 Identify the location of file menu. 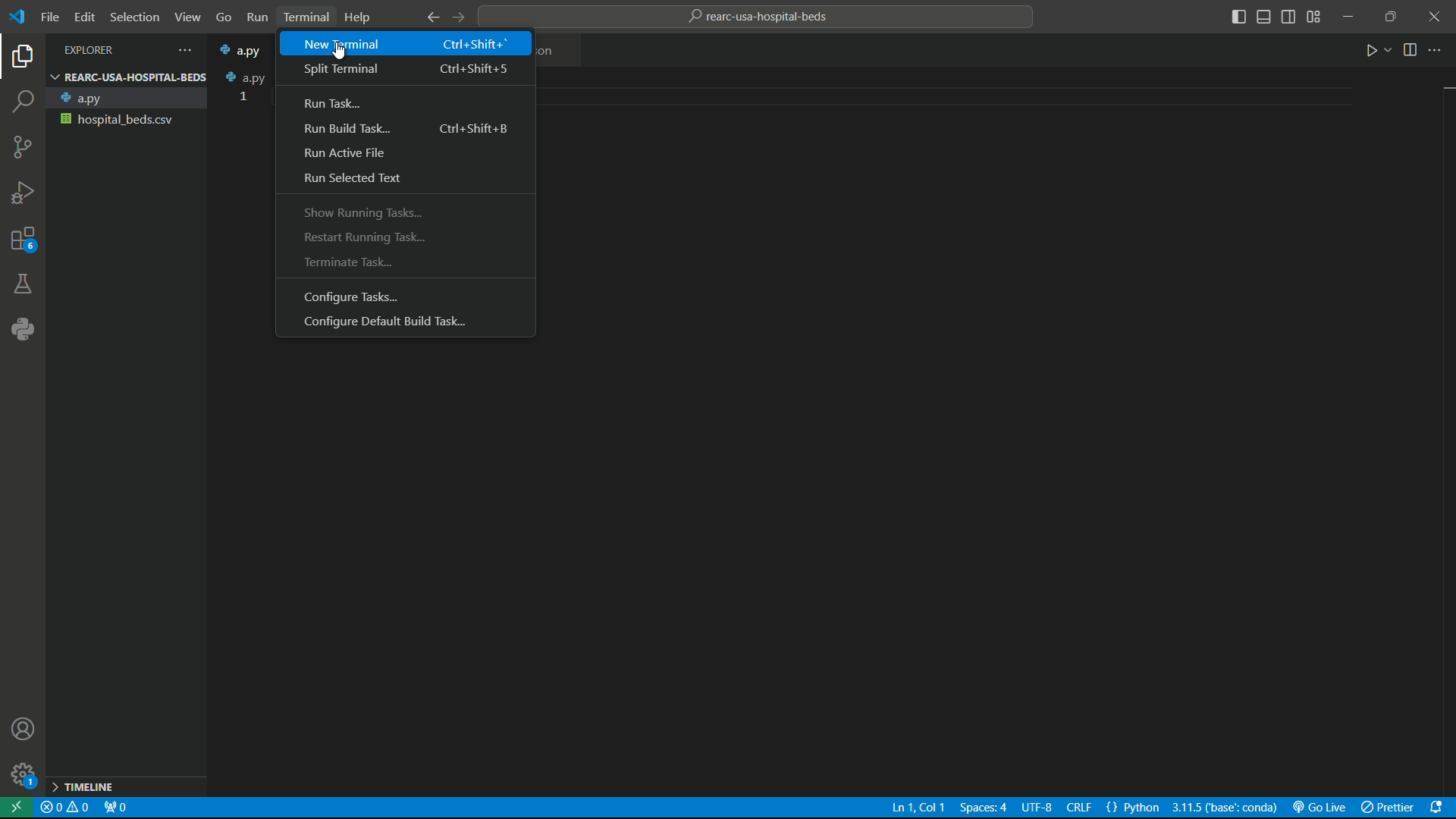
(50, 17).